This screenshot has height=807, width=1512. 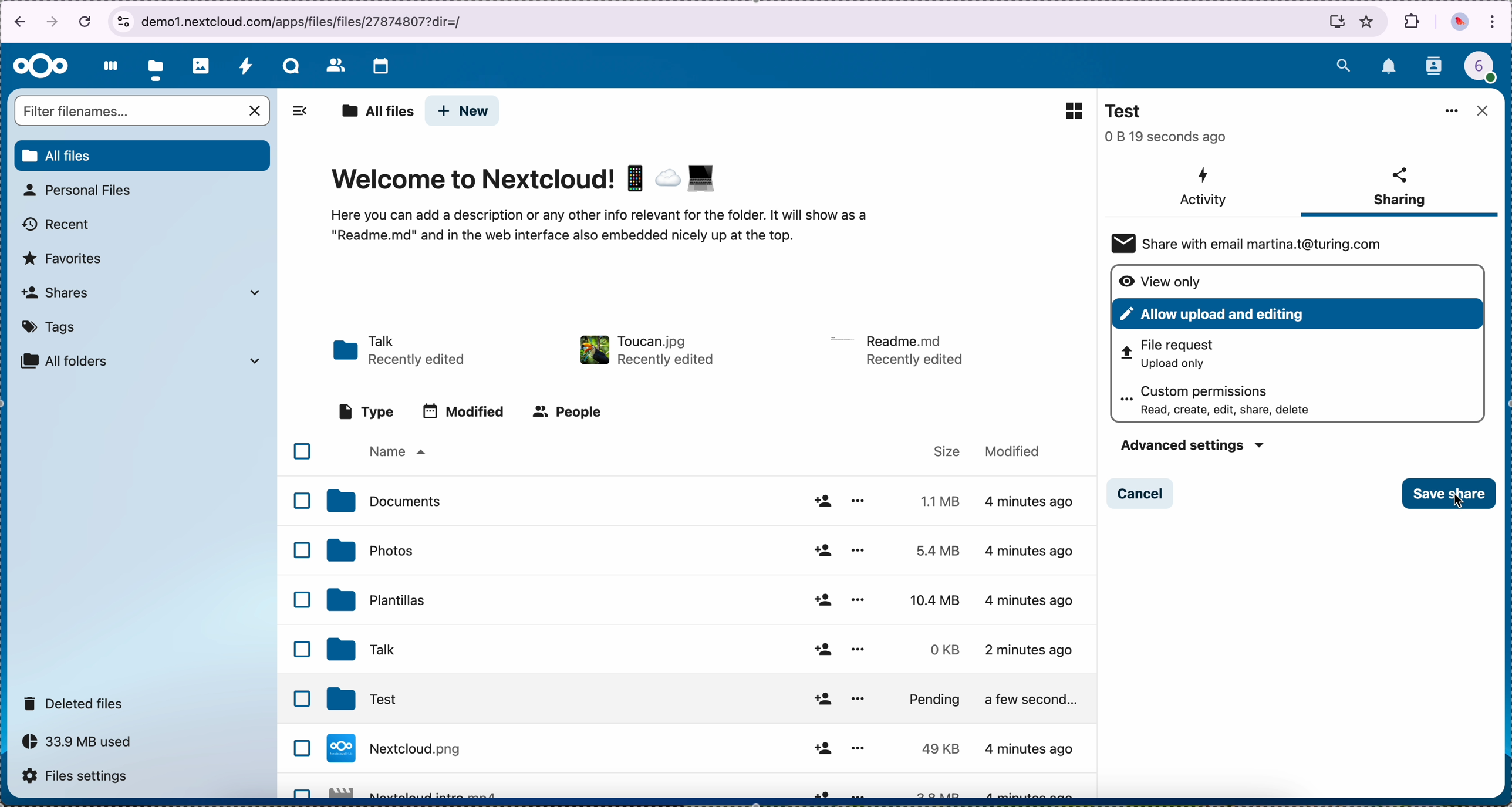 What do you see at coordinates (53, 23) in the screenshot?
I see `navigate foward` at bounding box center [53, 23].